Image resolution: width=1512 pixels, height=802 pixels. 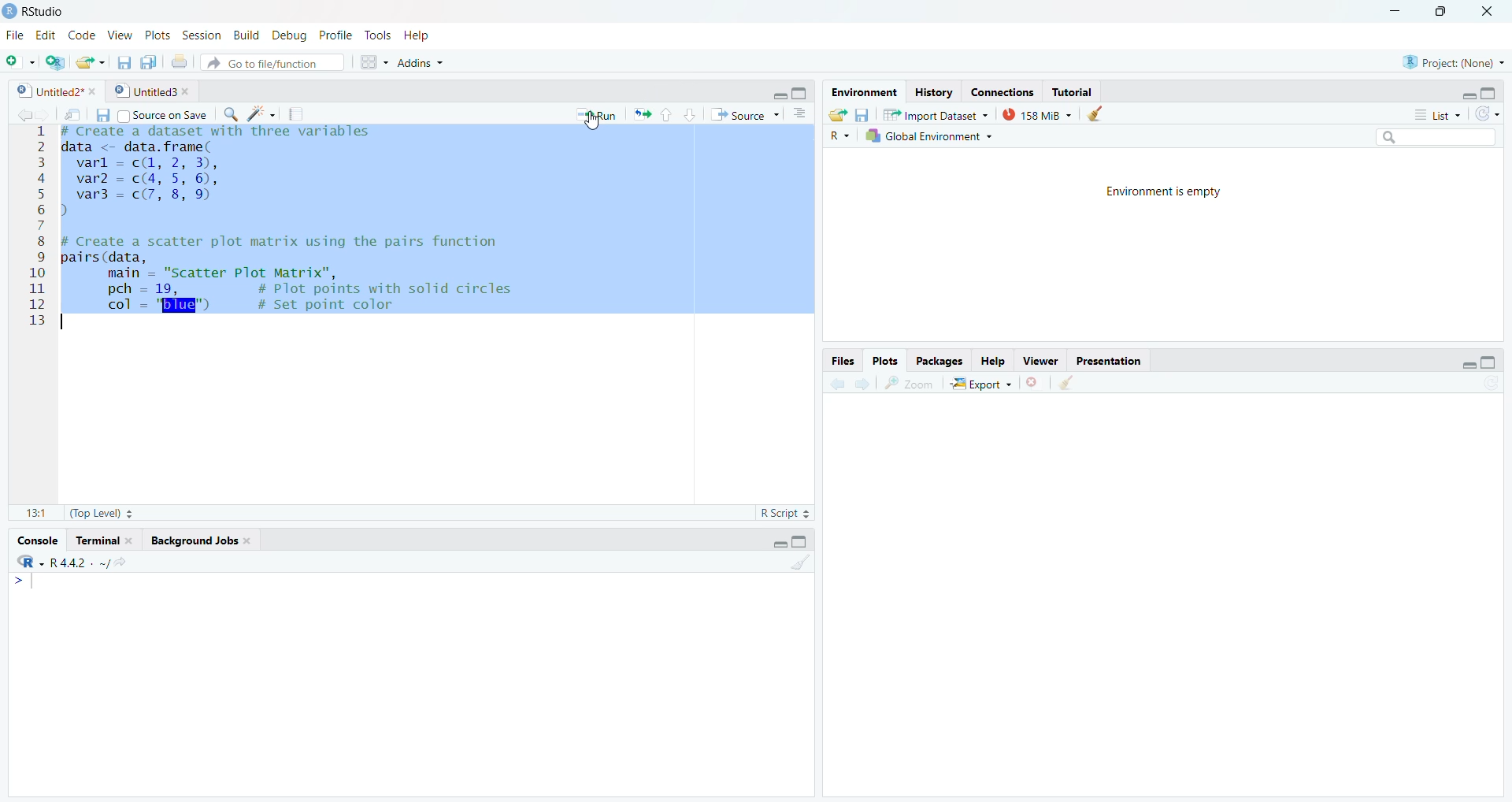 What do you see at coordinates (793, 91) in the screenshot?
I see `Minimize/Maximize` at bounding box center [793, 91].